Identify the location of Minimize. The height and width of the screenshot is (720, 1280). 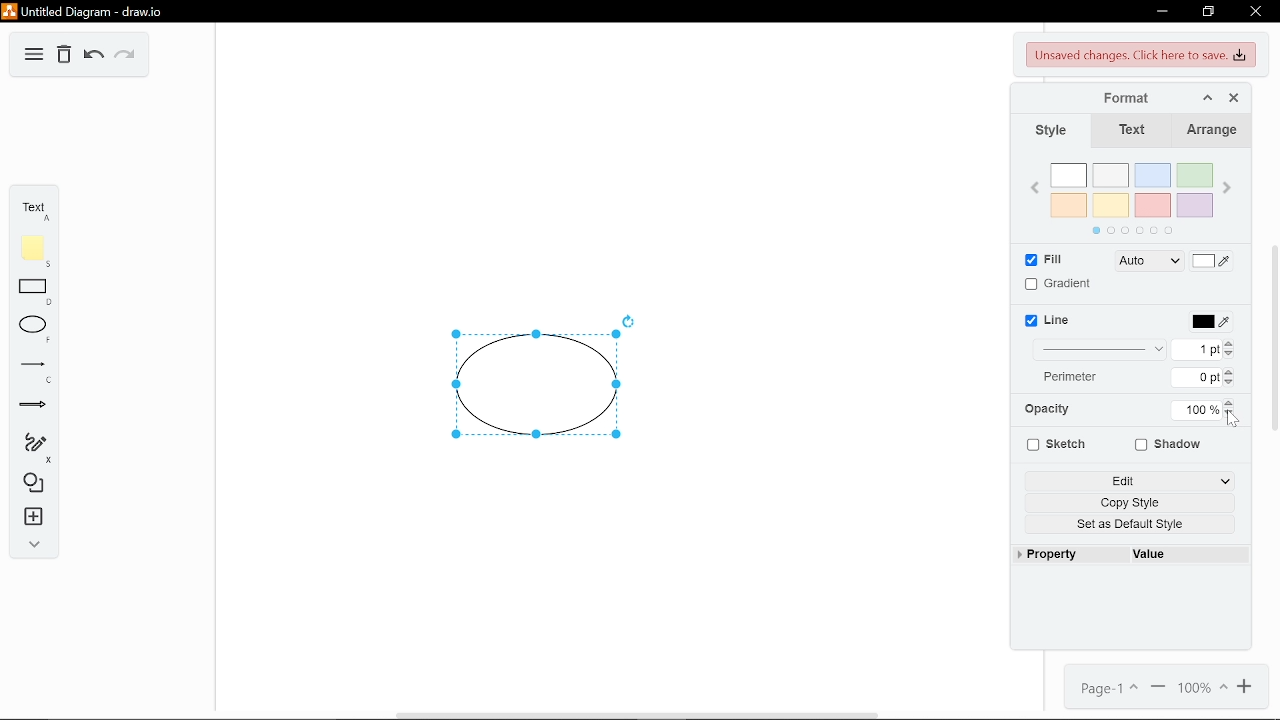
(1160, 12).